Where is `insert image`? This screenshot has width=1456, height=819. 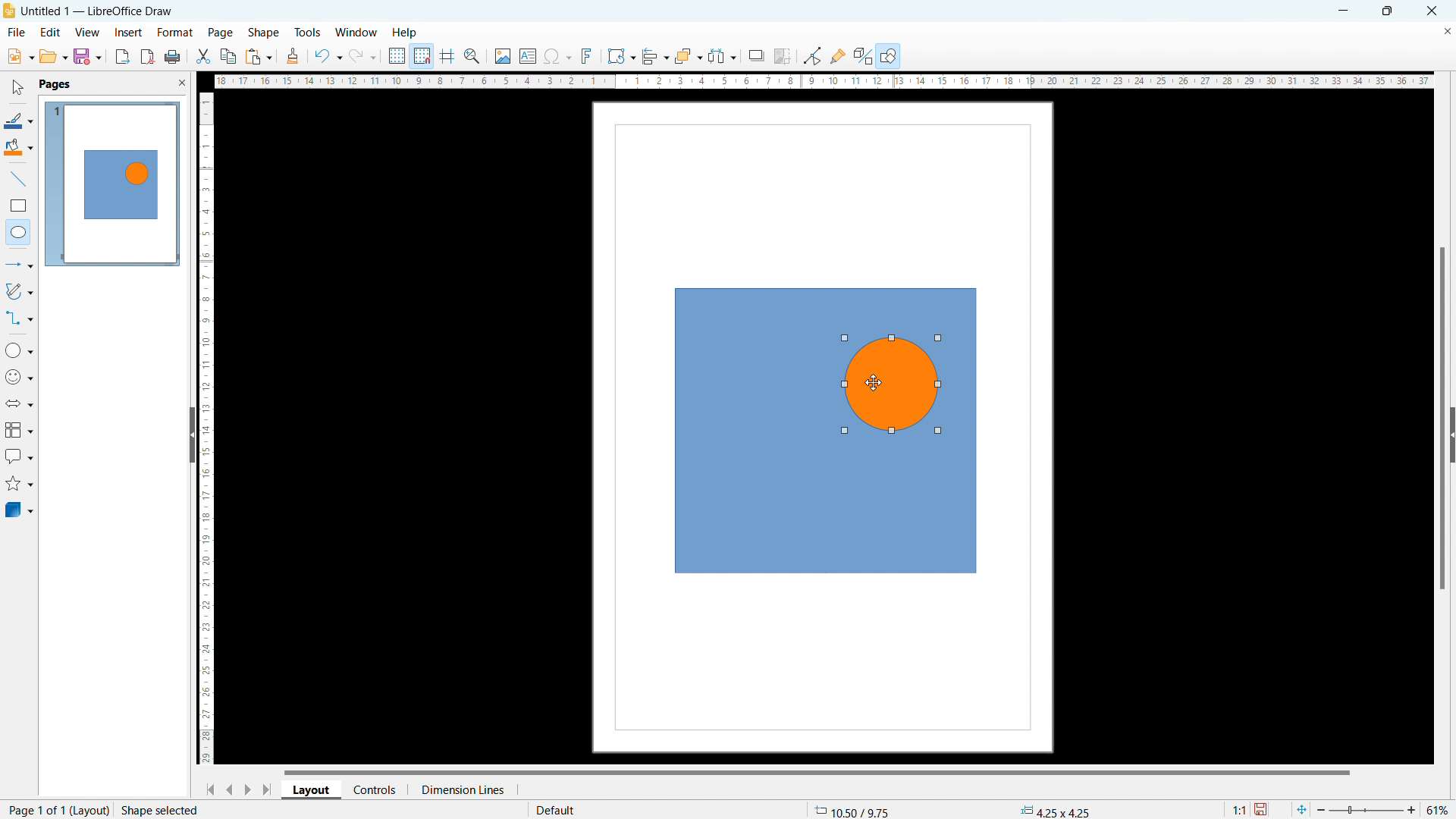
insert image is located at coordinates (502, 56).